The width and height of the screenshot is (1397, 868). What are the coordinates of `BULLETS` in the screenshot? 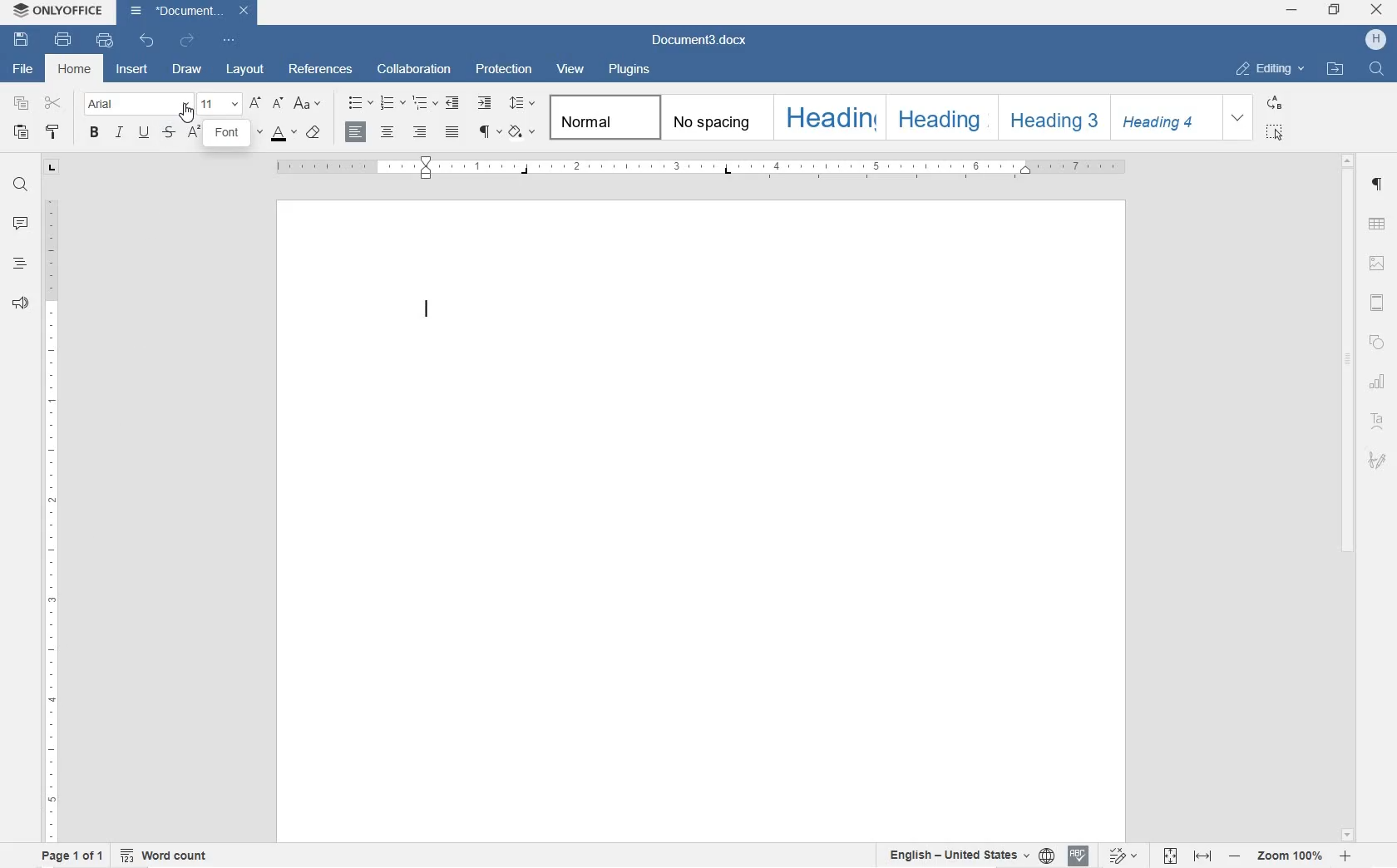 It's located at (360, 104).